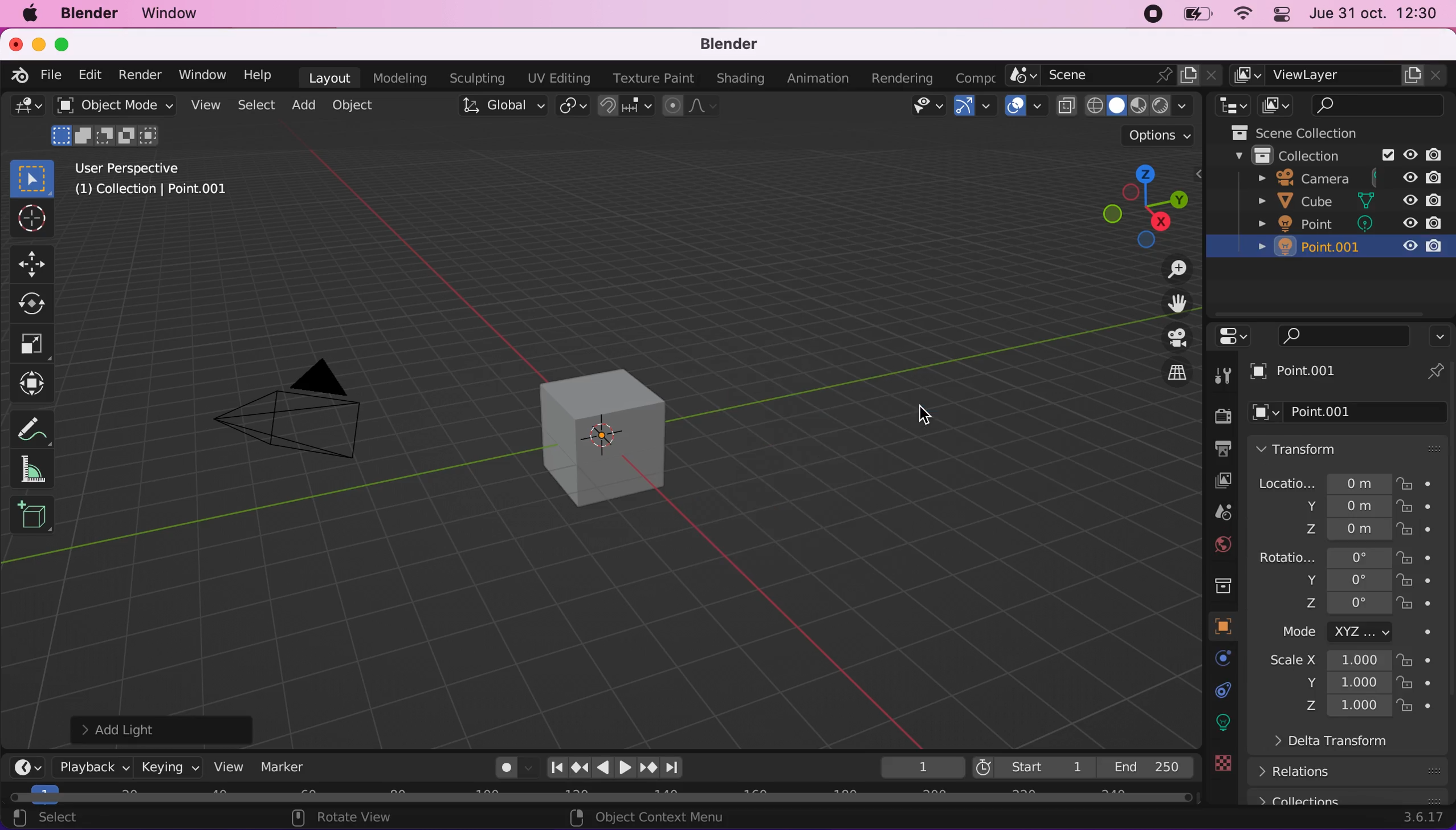 The width and height of the screenshot is (1456, 830). I want to click on transformation orientation, so click(500, 106).